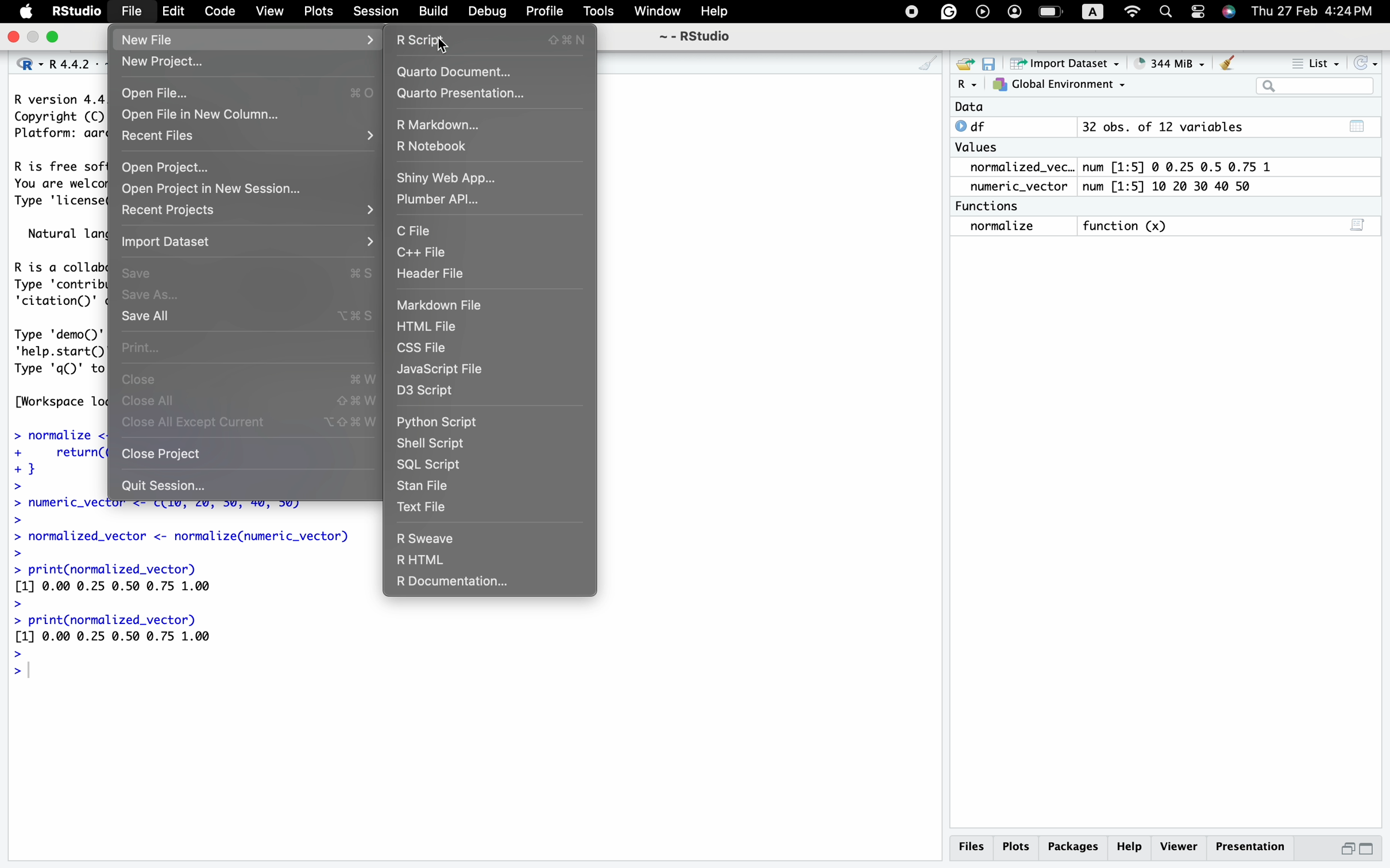 This screenshot has height=868, width=1390. Describe the element at coordinates (1061, 63) in the screenshot. I see `Import Dataset` at that location.